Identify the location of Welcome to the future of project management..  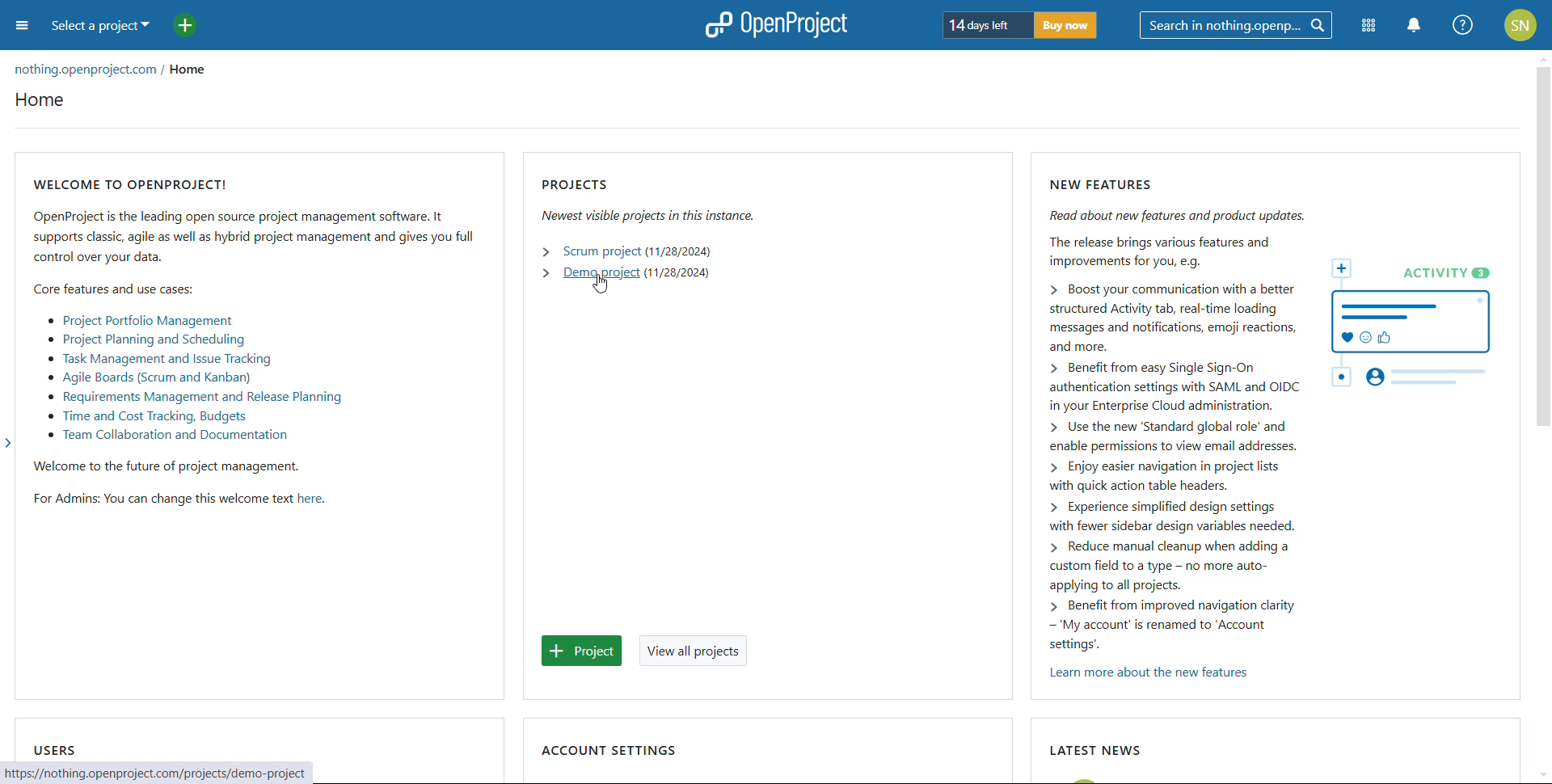
(167, 468).